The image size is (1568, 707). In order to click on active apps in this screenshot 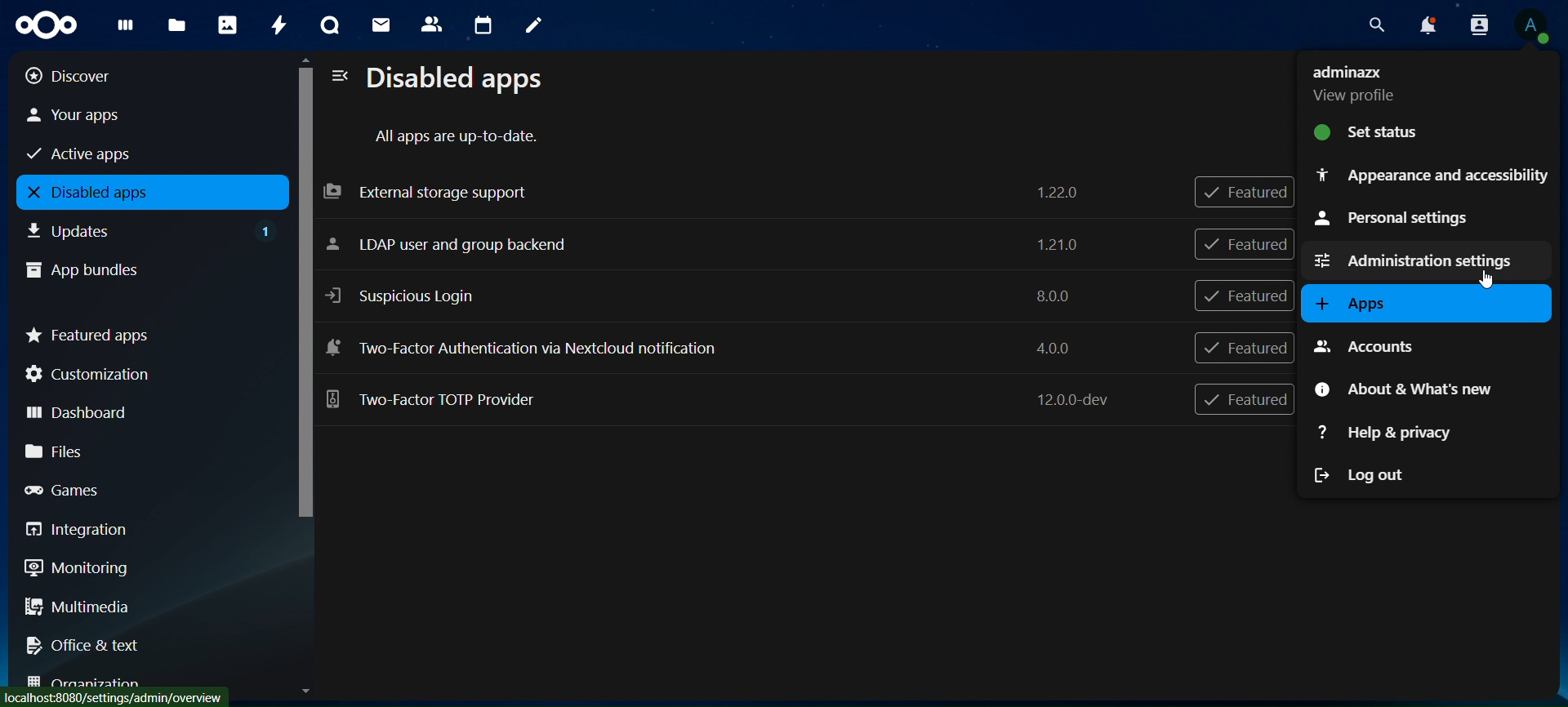, I will do `click(131, 152)`.